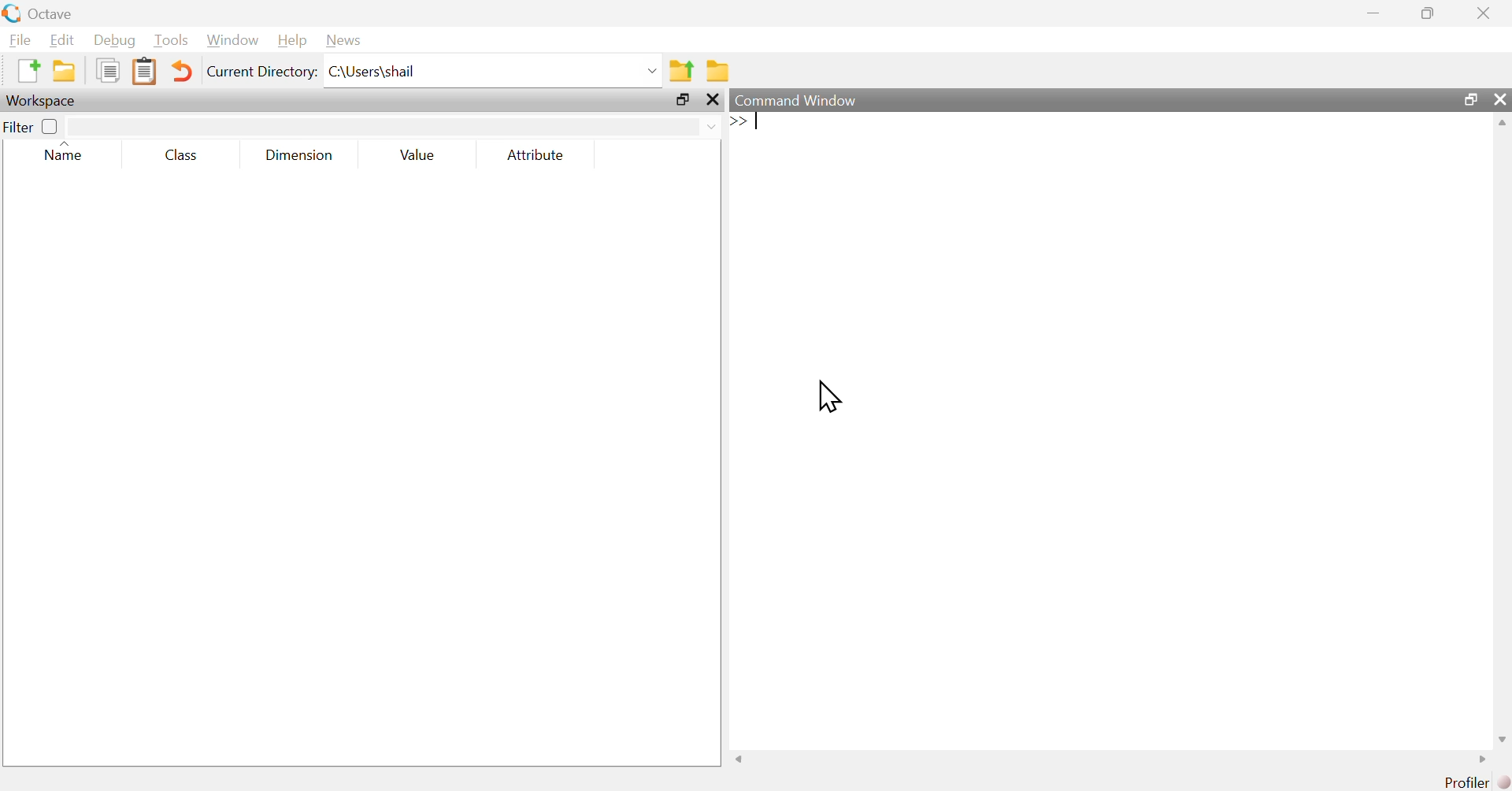 The height and width of the screenshot is (791, 1512). I want to click on one directory up, so click(680, 69).